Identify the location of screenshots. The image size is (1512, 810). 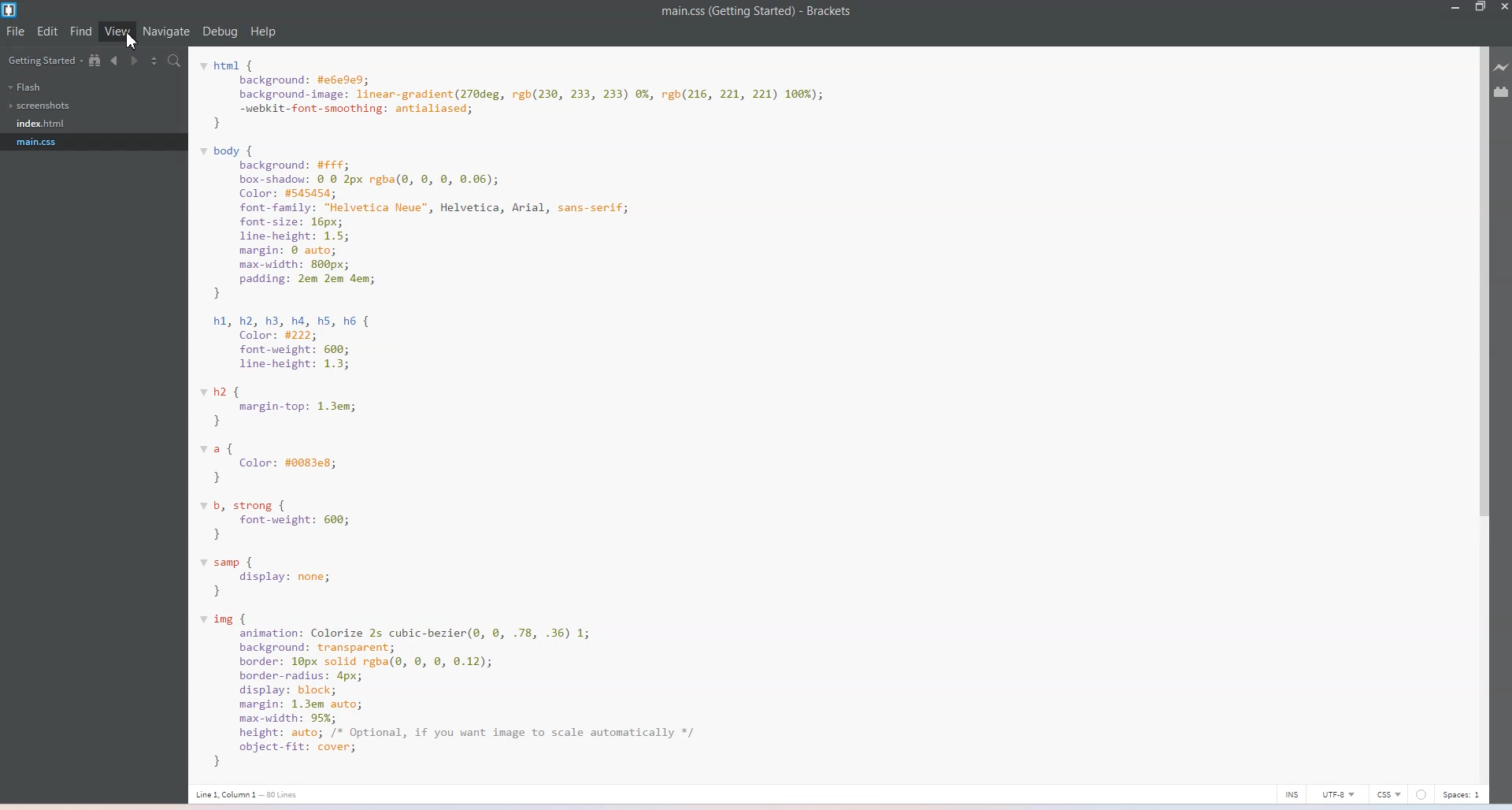
(42, 106).